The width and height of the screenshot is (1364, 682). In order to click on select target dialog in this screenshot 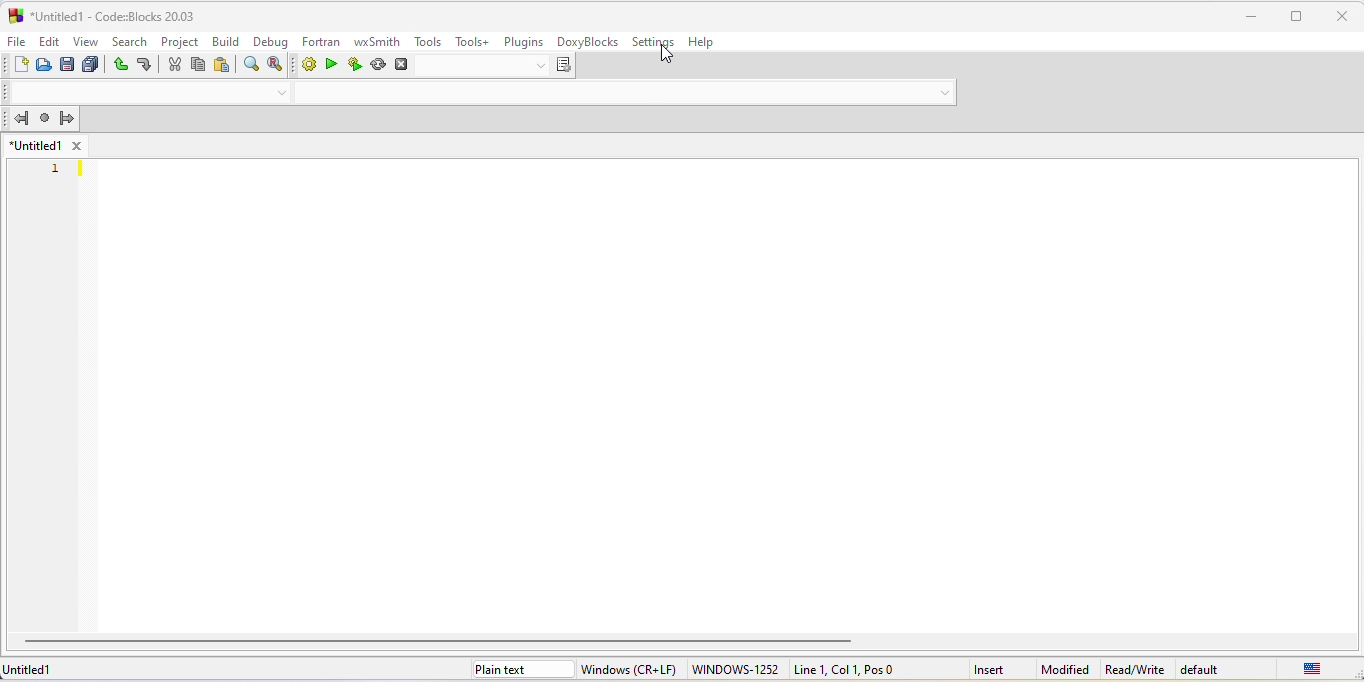, I will do `click(494, 66)`.